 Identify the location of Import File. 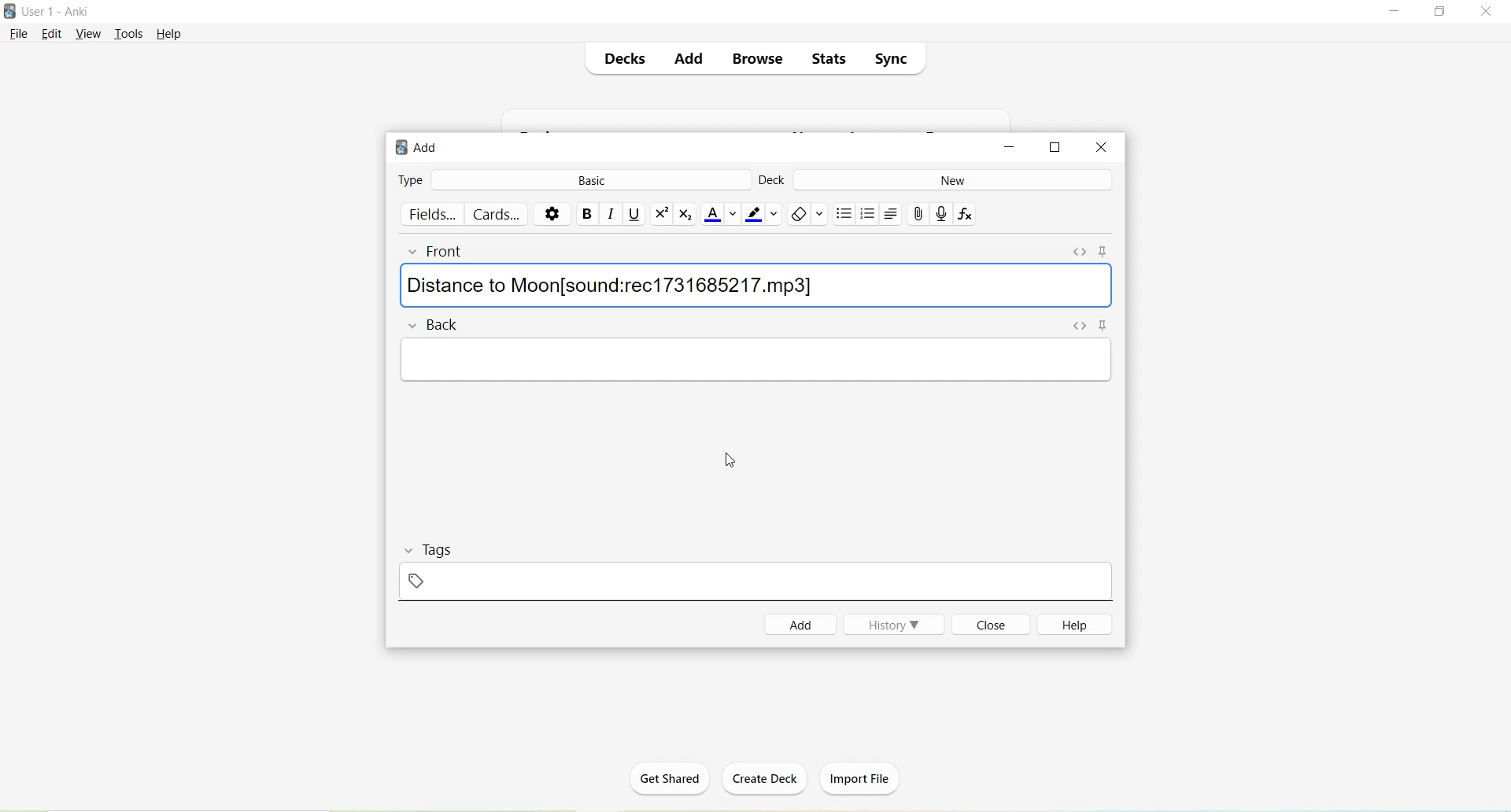
(866, 779).